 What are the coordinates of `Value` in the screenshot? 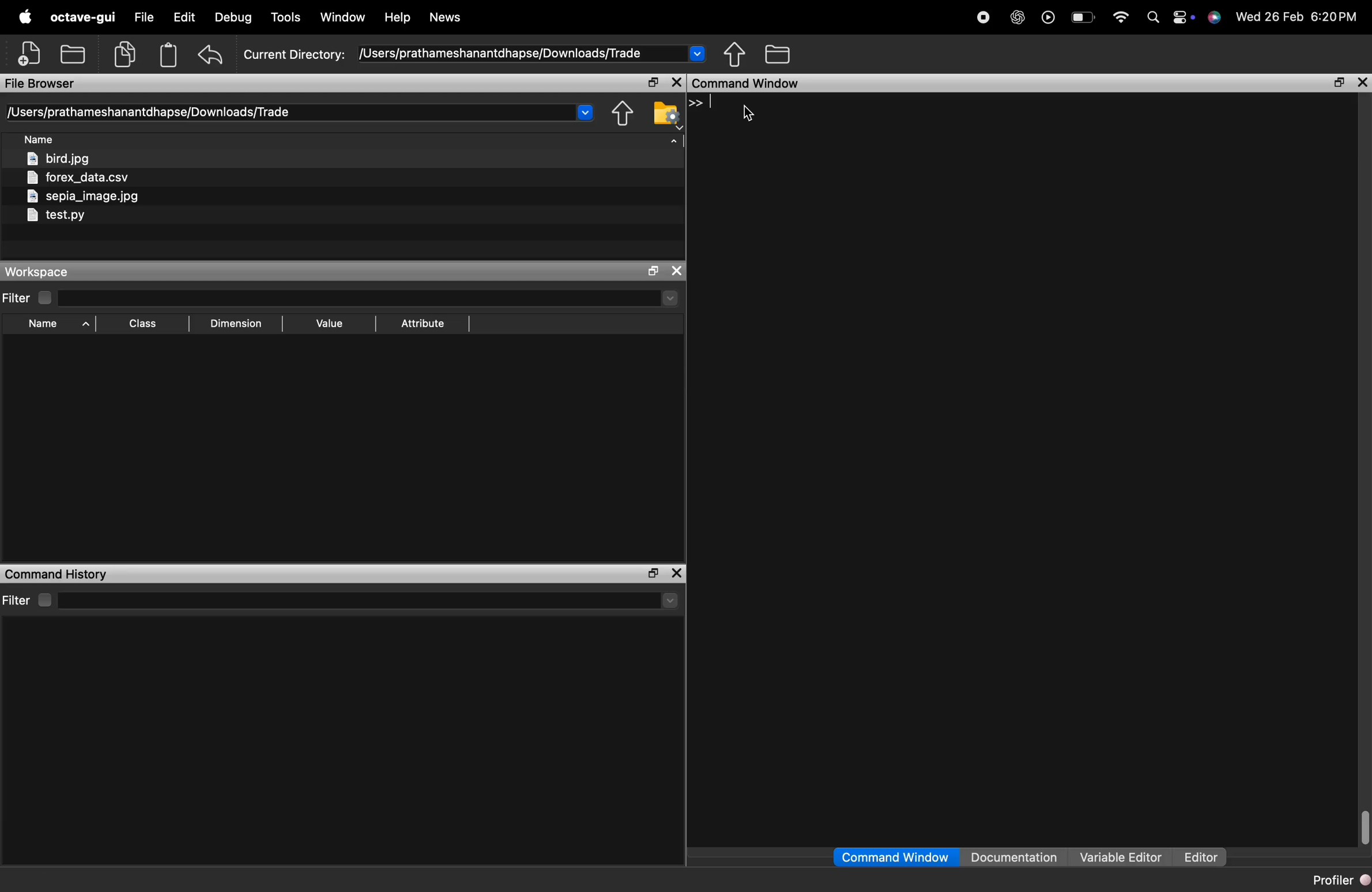 It's located at (332, 323).